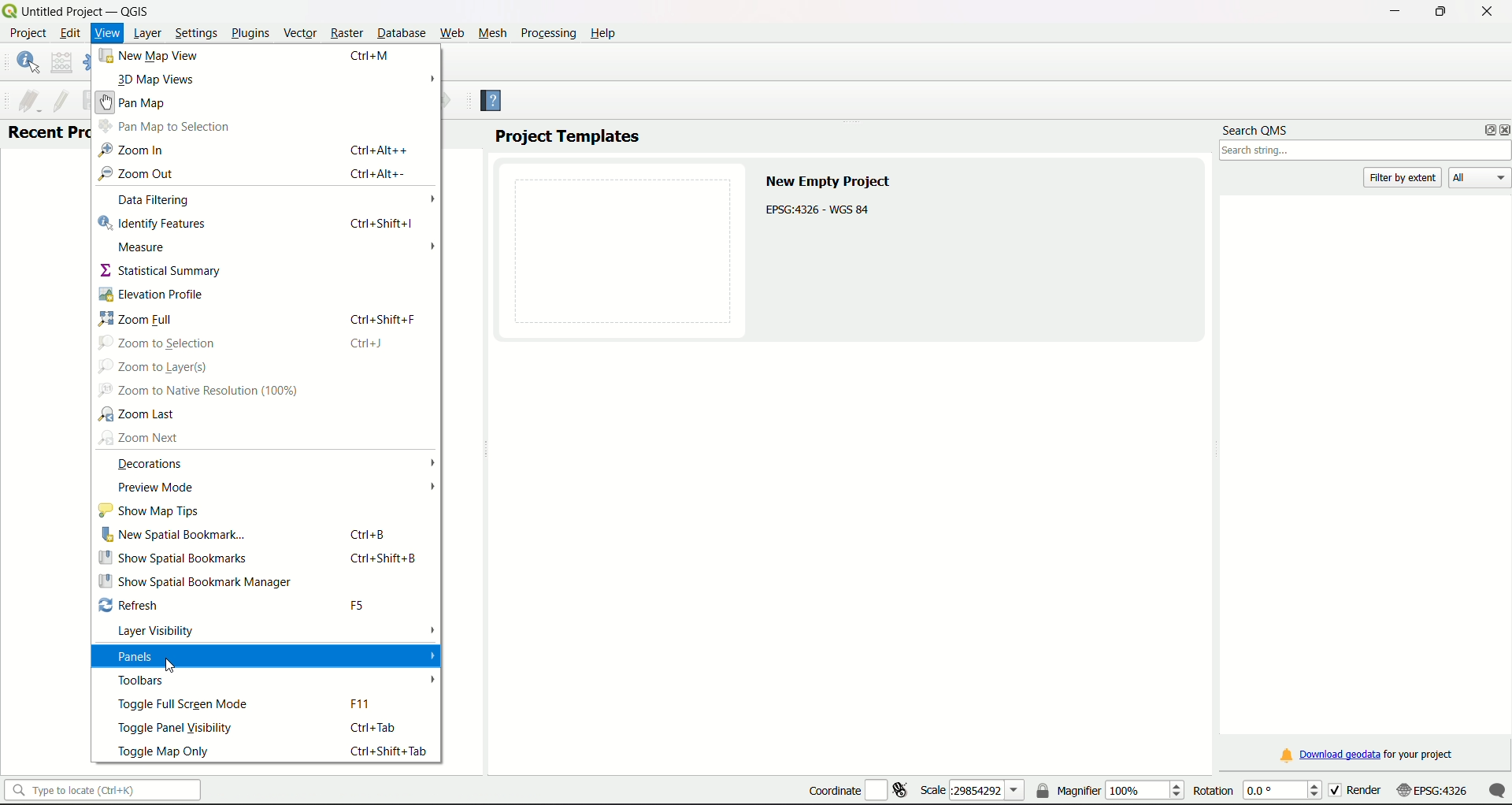  I want to click on View, so click(106, 34).